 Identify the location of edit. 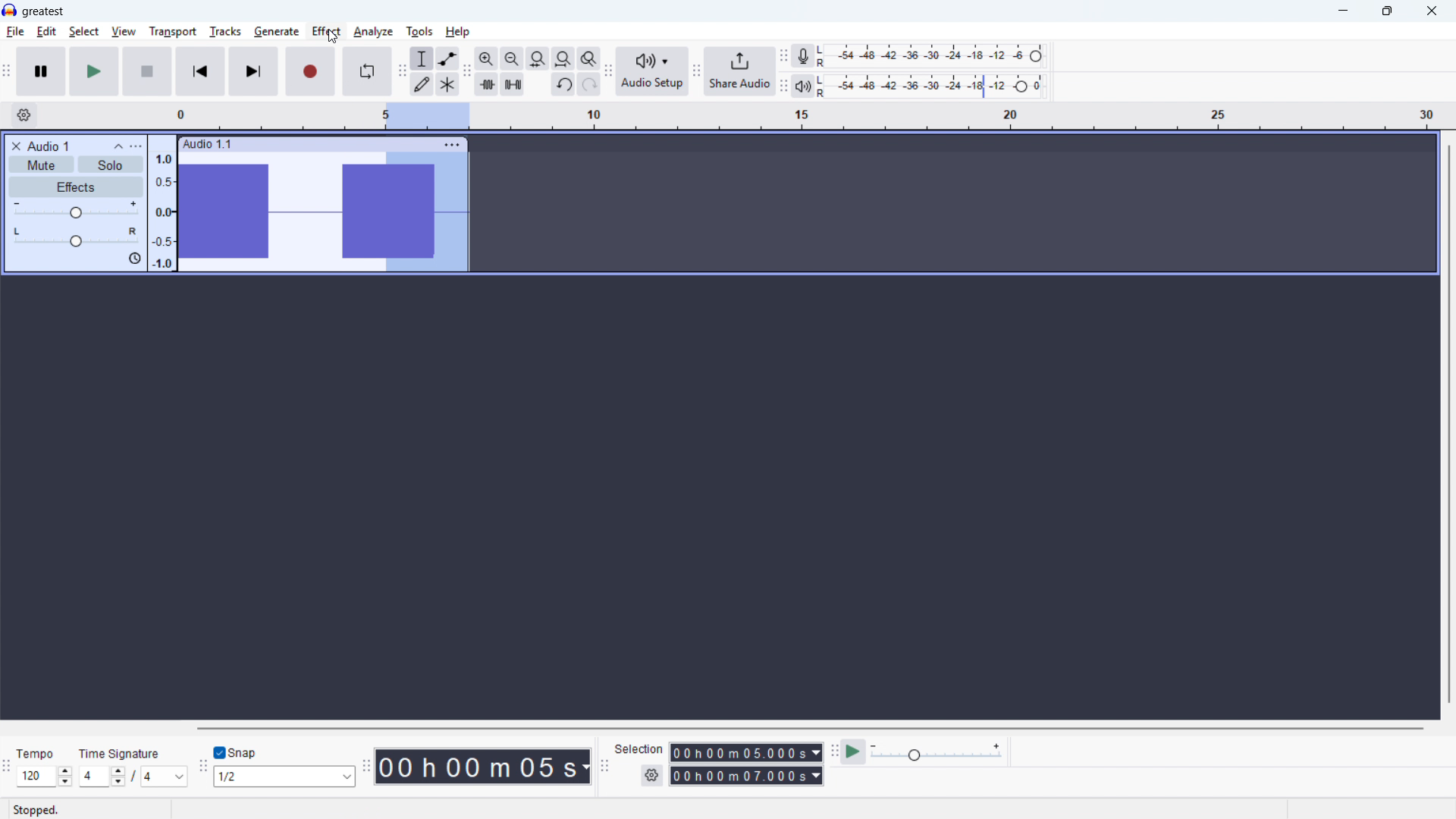
(46, 32).